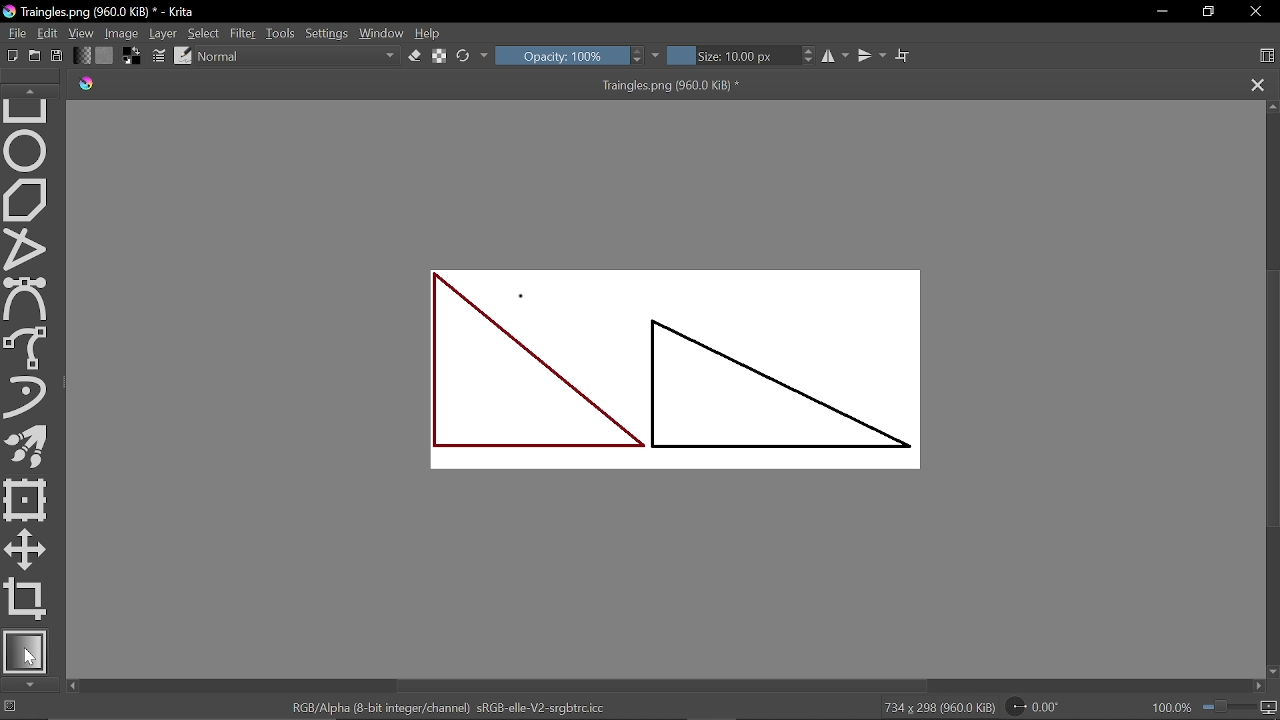 This screenshot has height=720, width=1280. Describe the element at coordinates (1258, 83) in the screenshot. I see `Close tab` at that location.